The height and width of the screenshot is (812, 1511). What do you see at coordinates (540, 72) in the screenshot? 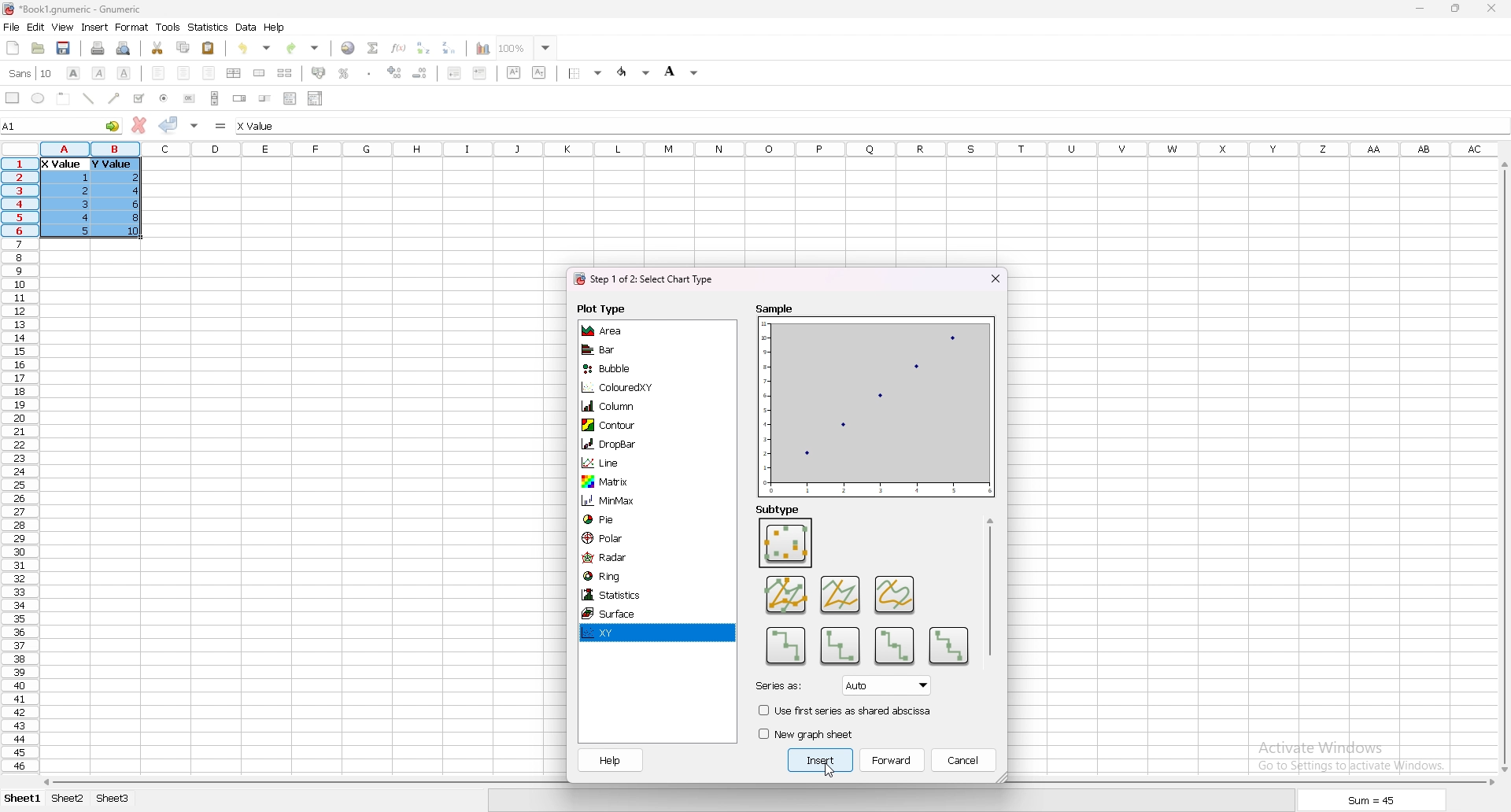
I see `subscript` at bounding box center [540, 72].